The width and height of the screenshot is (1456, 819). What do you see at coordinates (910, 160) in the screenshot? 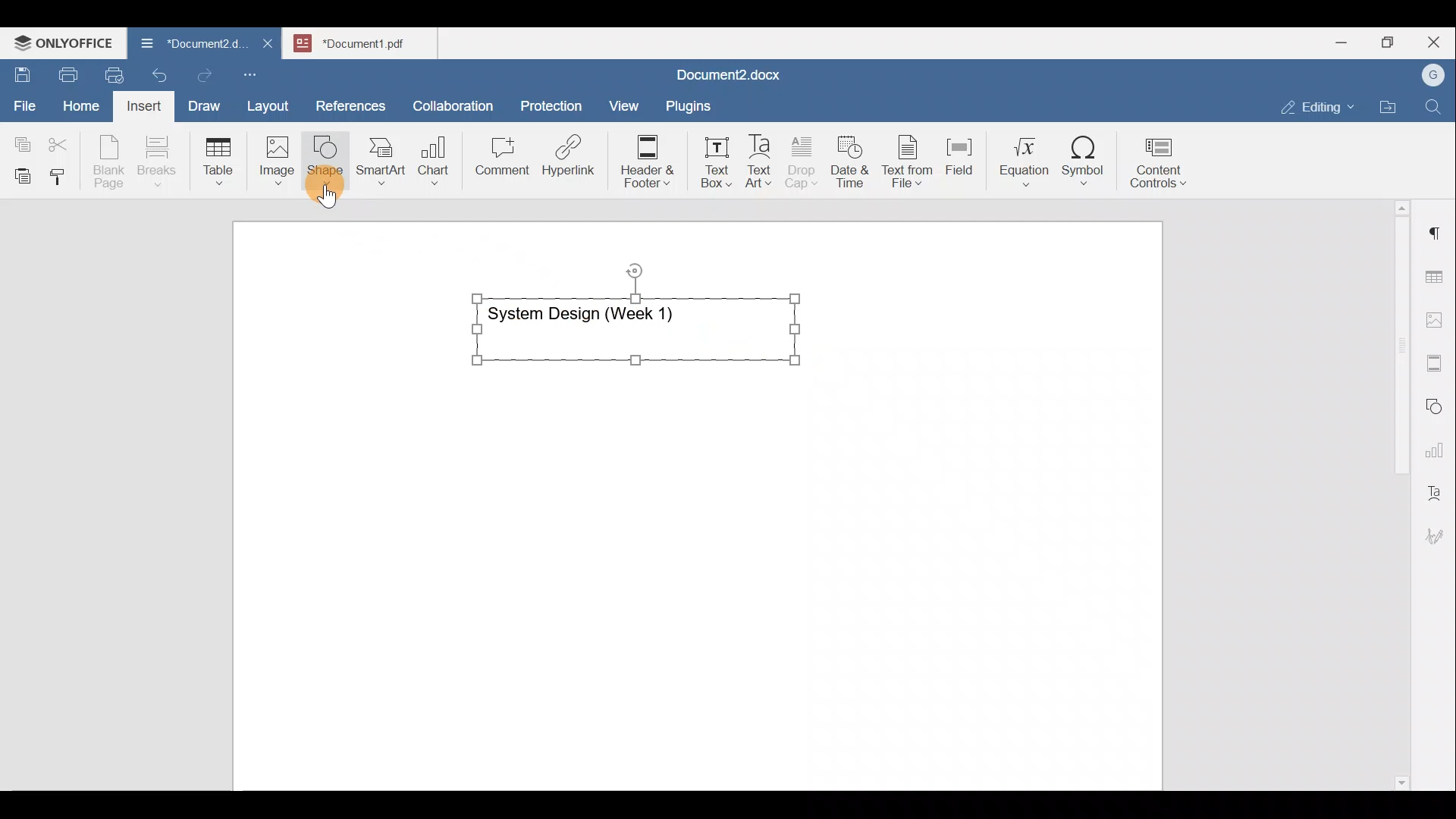
I see `Text from file` at bounding box center [910, 160].